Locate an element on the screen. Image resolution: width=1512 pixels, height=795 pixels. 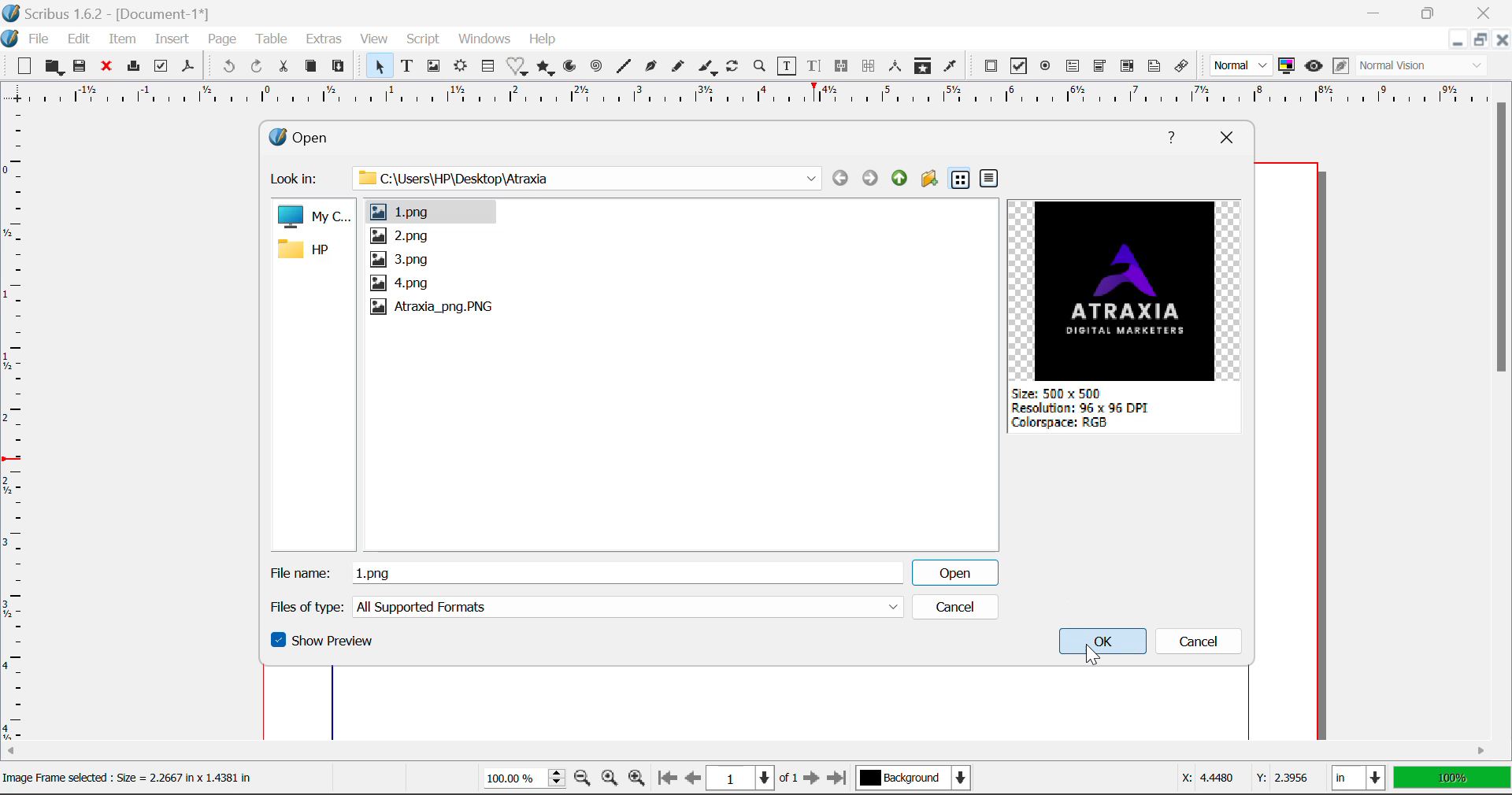
Delink Text Frames is located at coordinates (870, 66).